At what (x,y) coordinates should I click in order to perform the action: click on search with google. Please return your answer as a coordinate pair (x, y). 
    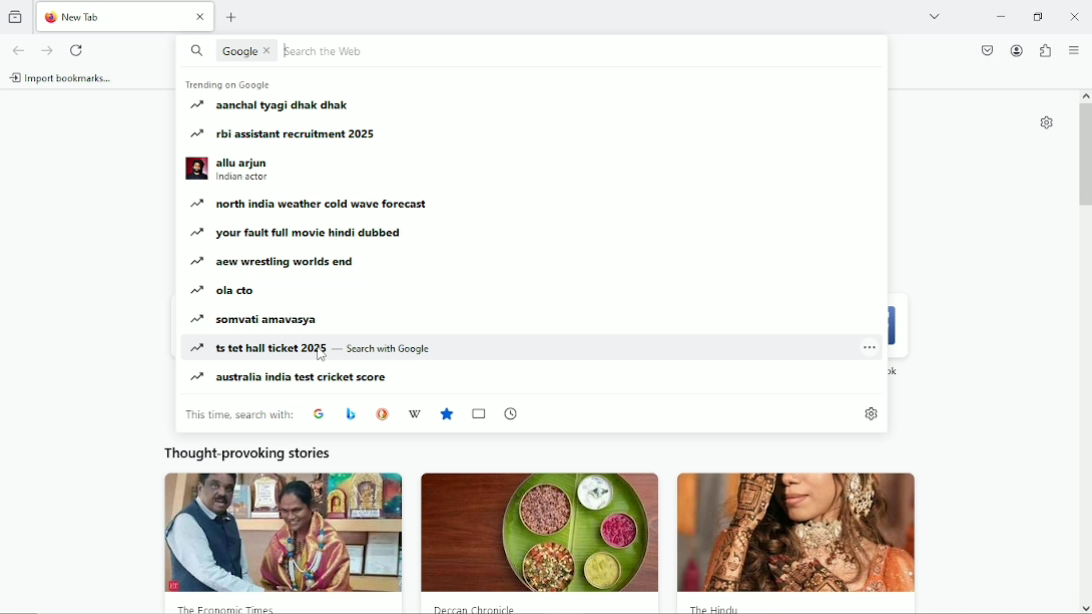
    Looking at the image, I should click on (389, 350).